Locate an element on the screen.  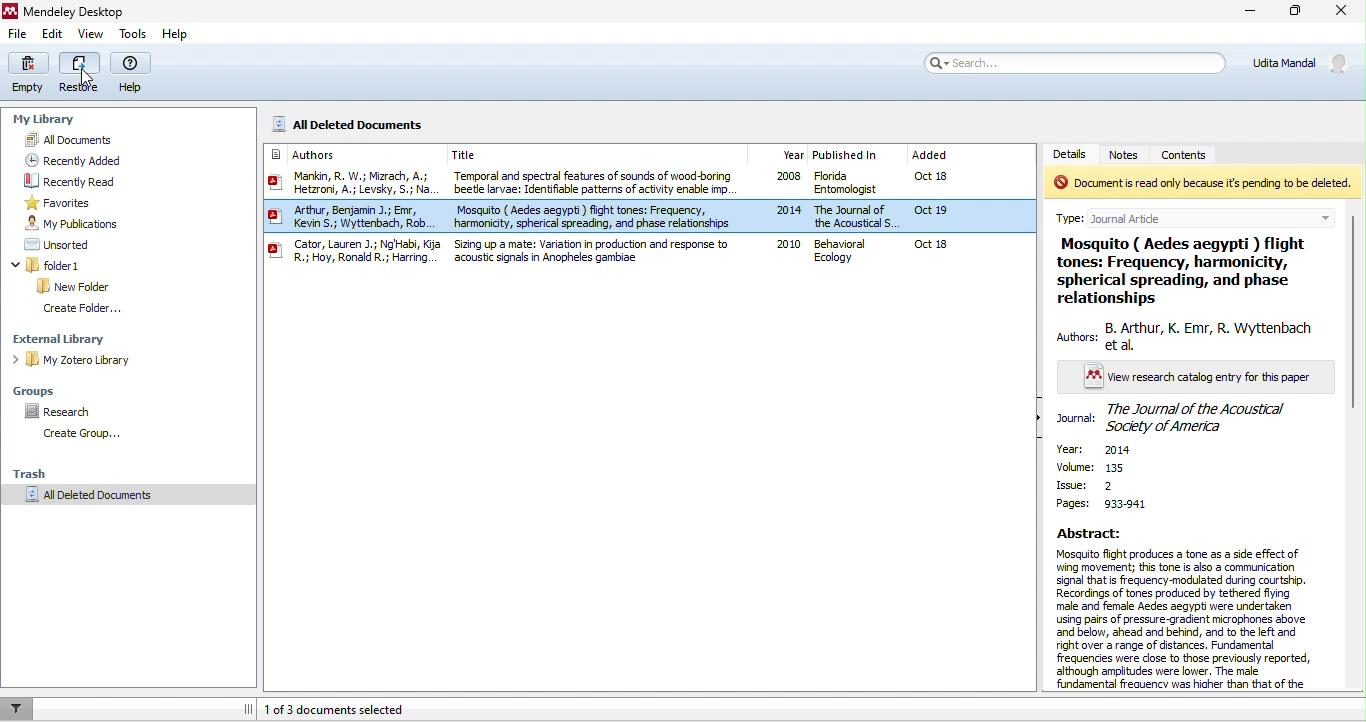
journal name is located at coordinates (1178, 418).